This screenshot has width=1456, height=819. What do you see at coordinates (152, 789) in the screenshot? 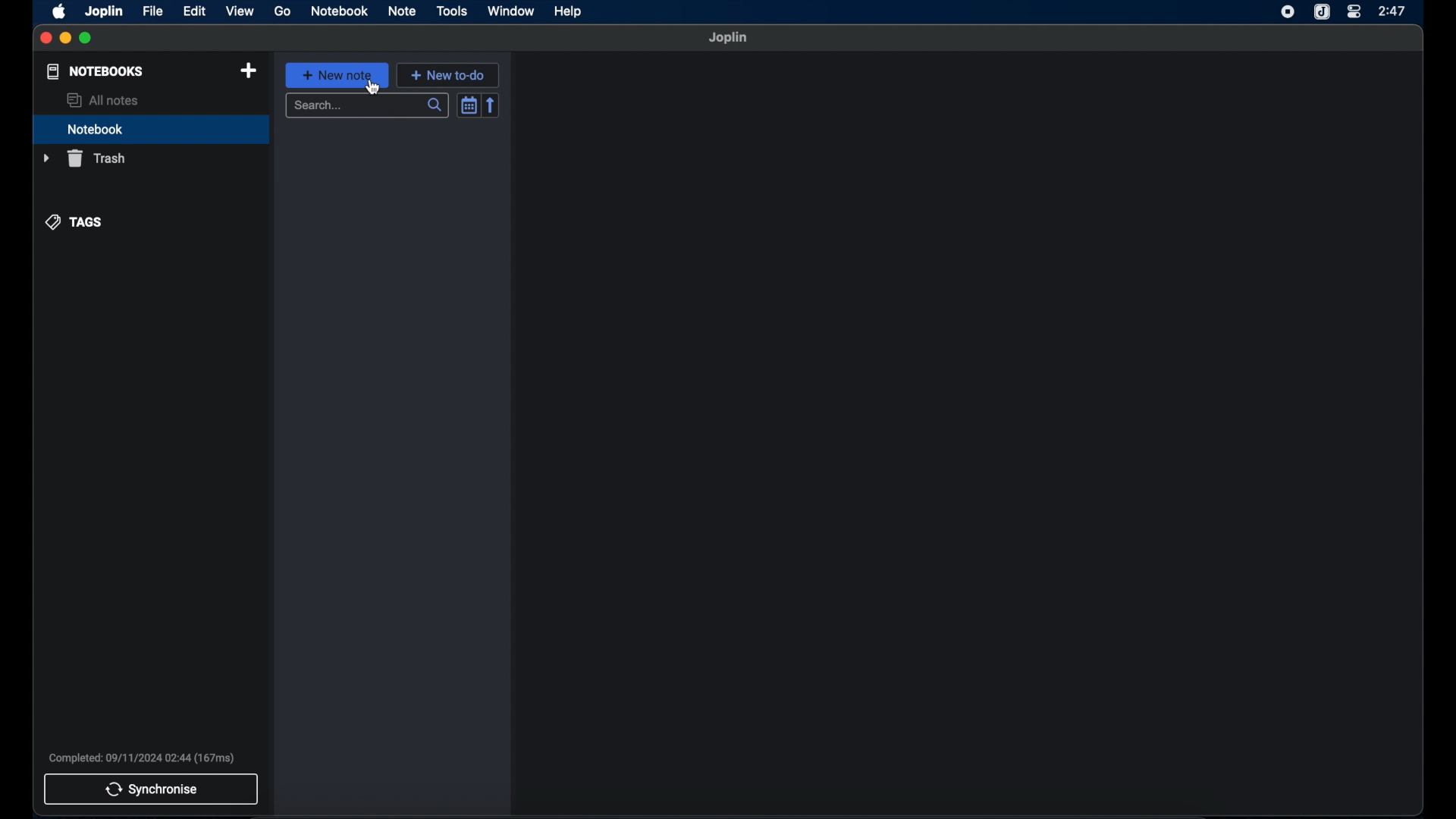
I see `synchronise` at bounding box center [152, 789].